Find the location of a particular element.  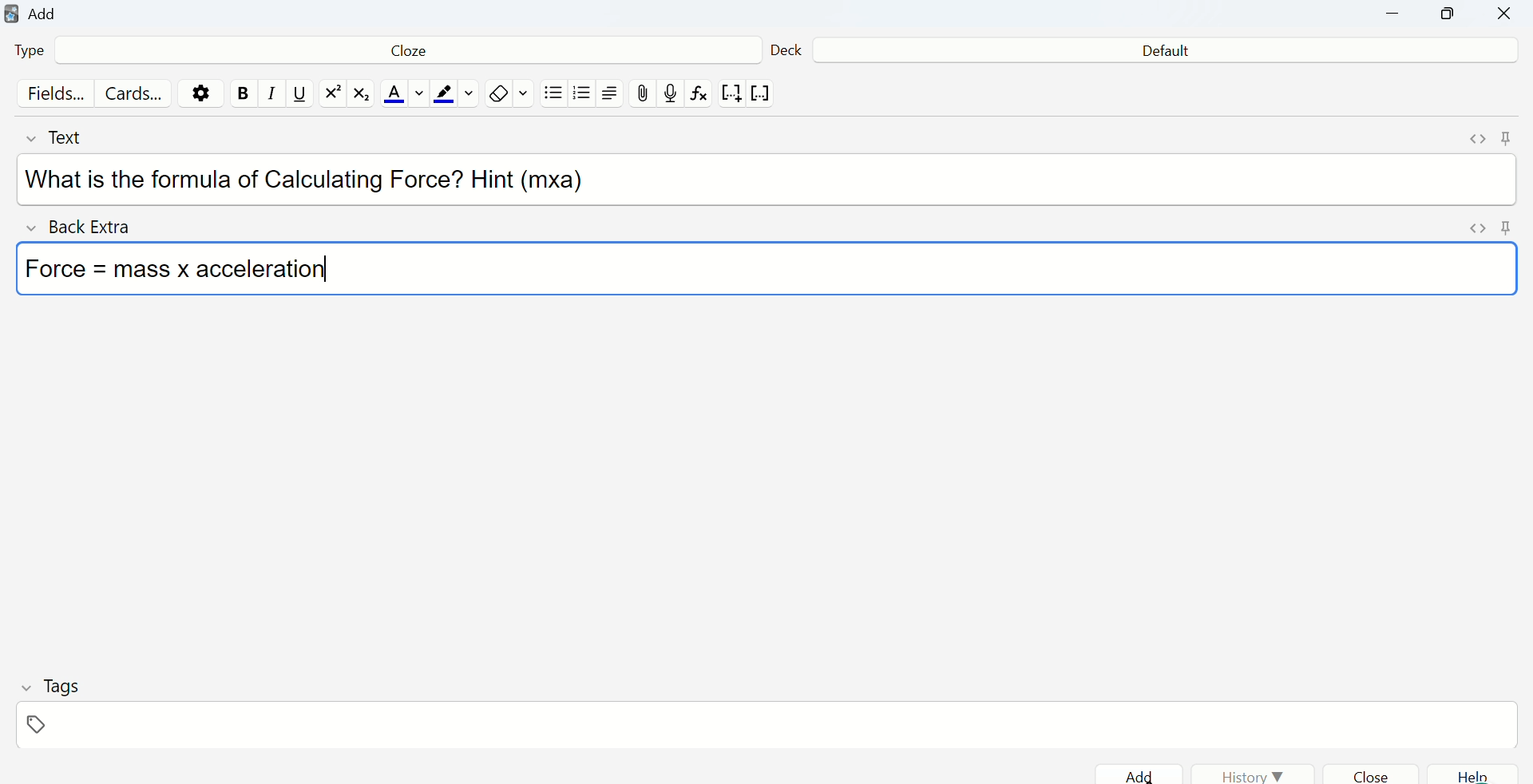

History is located at coordinates (1254, 771).